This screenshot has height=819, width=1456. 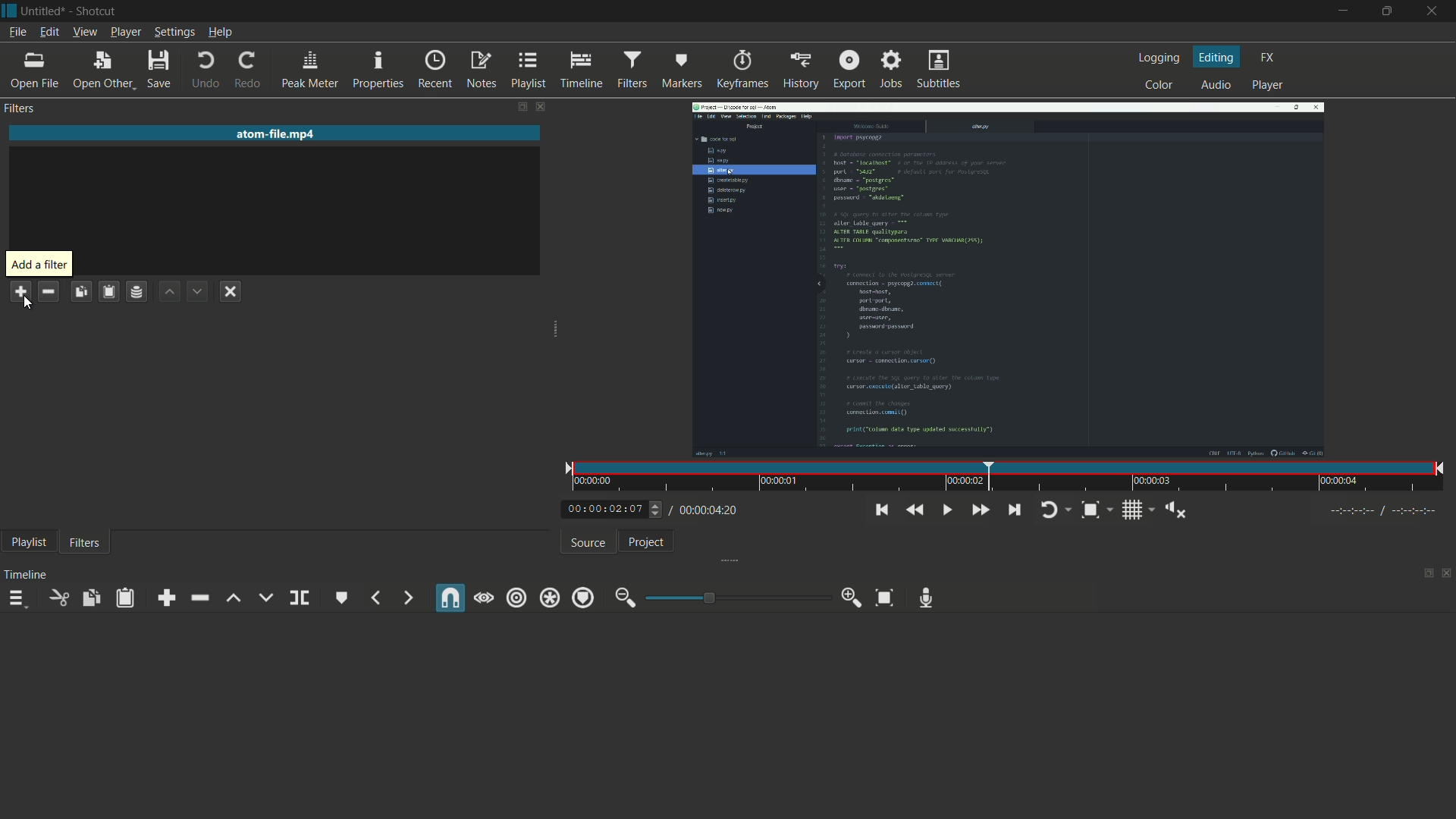 I want to click on keyframes, so click(x=743, y=71).